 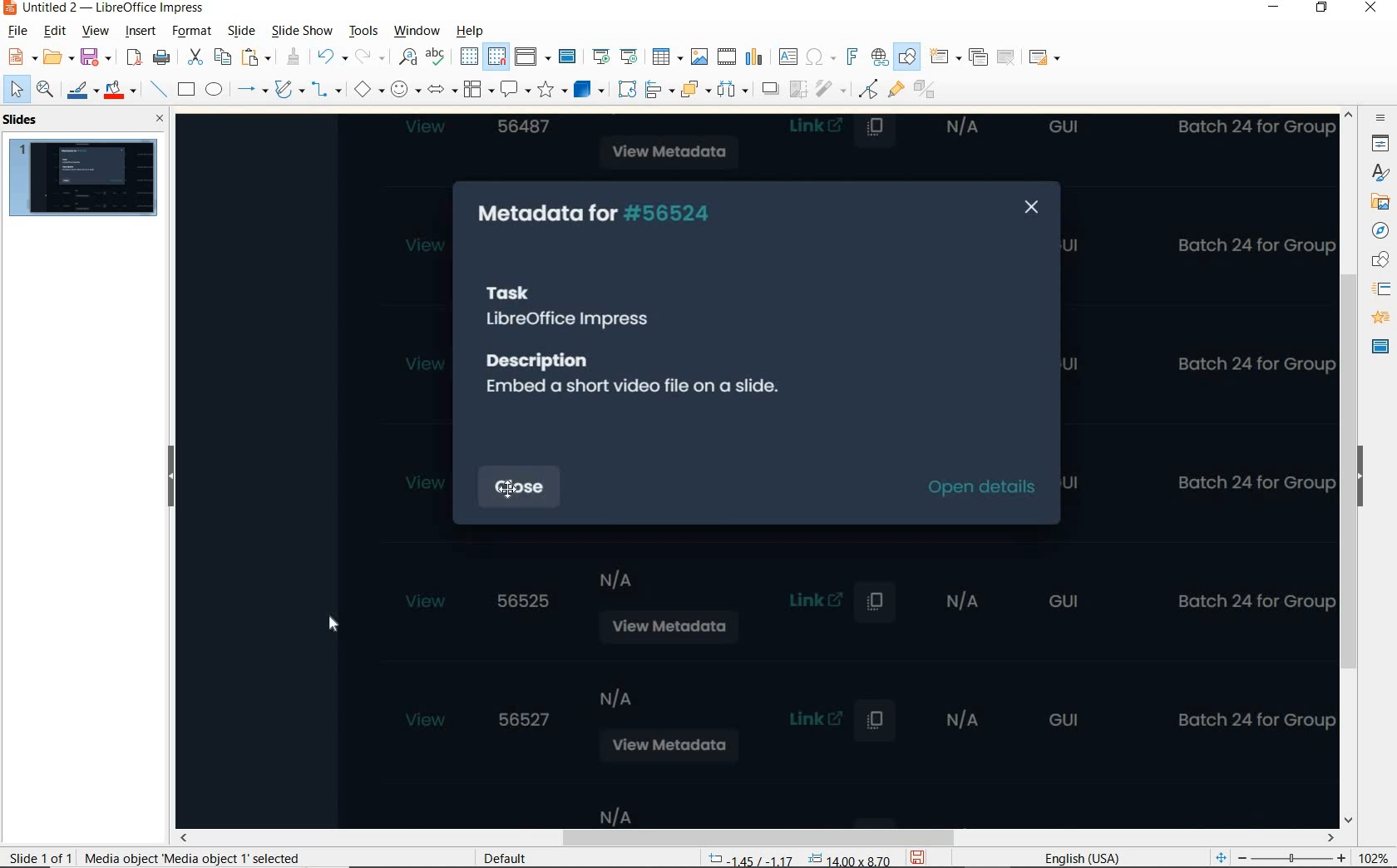 What do you see at coordinates (851, 56) in the screenshot?
I see `INSERT FRONTWORK TEXT` at bounding box center [851, 56].